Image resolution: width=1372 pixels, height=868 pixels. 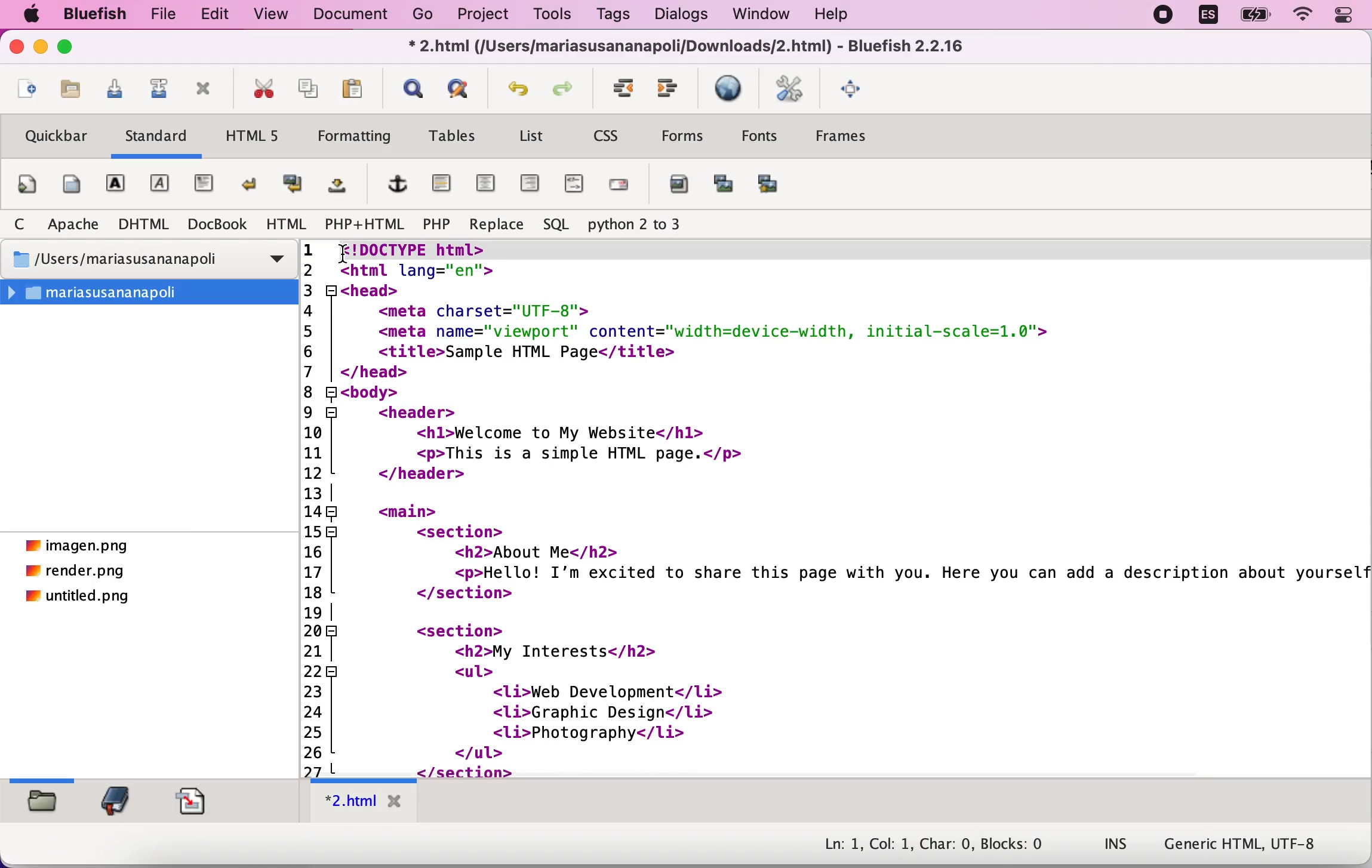 What do you see at coordinates (722, 189) in the screenshot?
I see `insert thumbnail` at bounding box center [722, 189].